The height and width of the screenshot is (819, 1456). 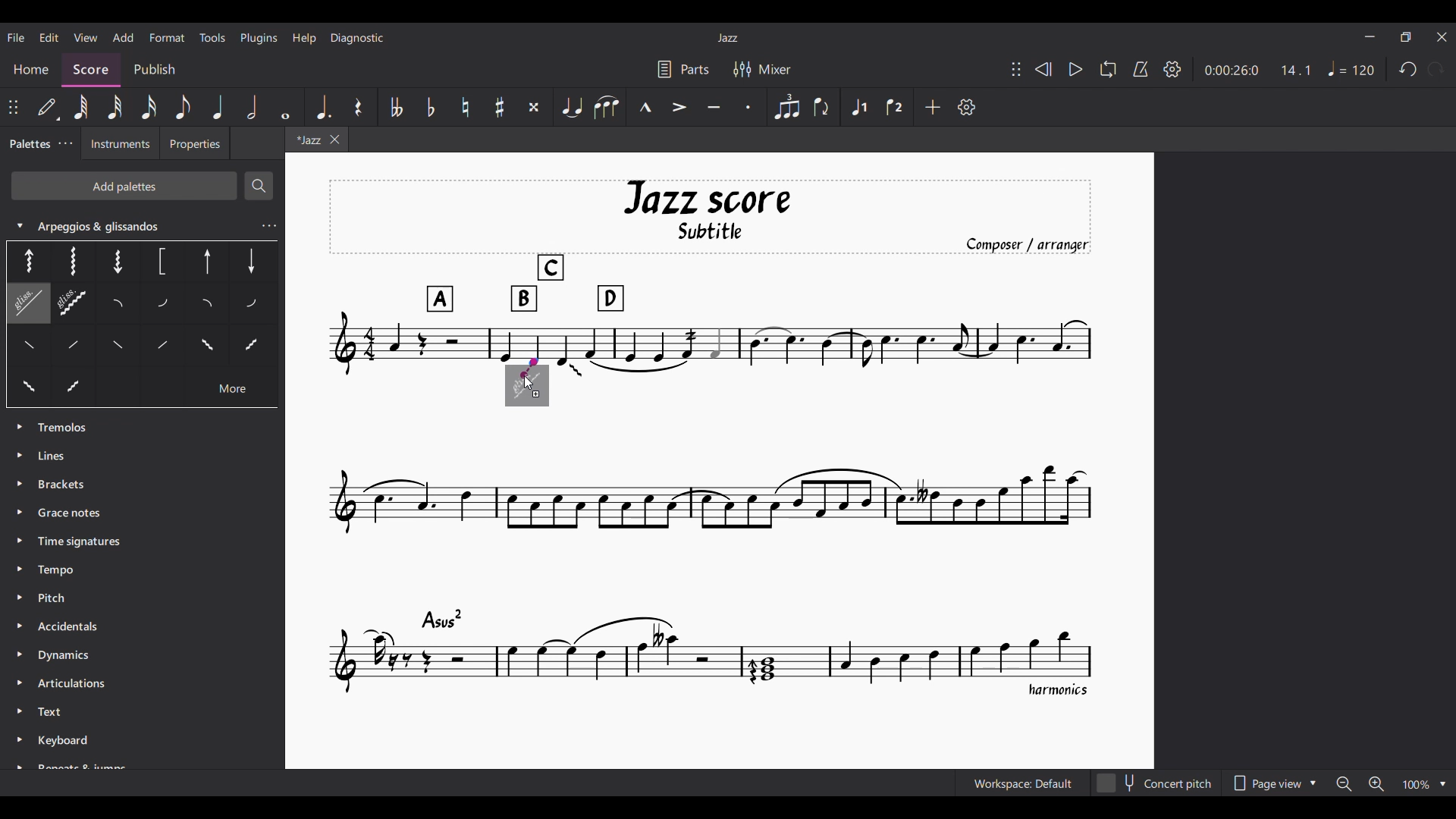 What do you see at coordinates (466, 107) in the screenshot?
I see `Toggle natural` at bounding box center [466, 107].